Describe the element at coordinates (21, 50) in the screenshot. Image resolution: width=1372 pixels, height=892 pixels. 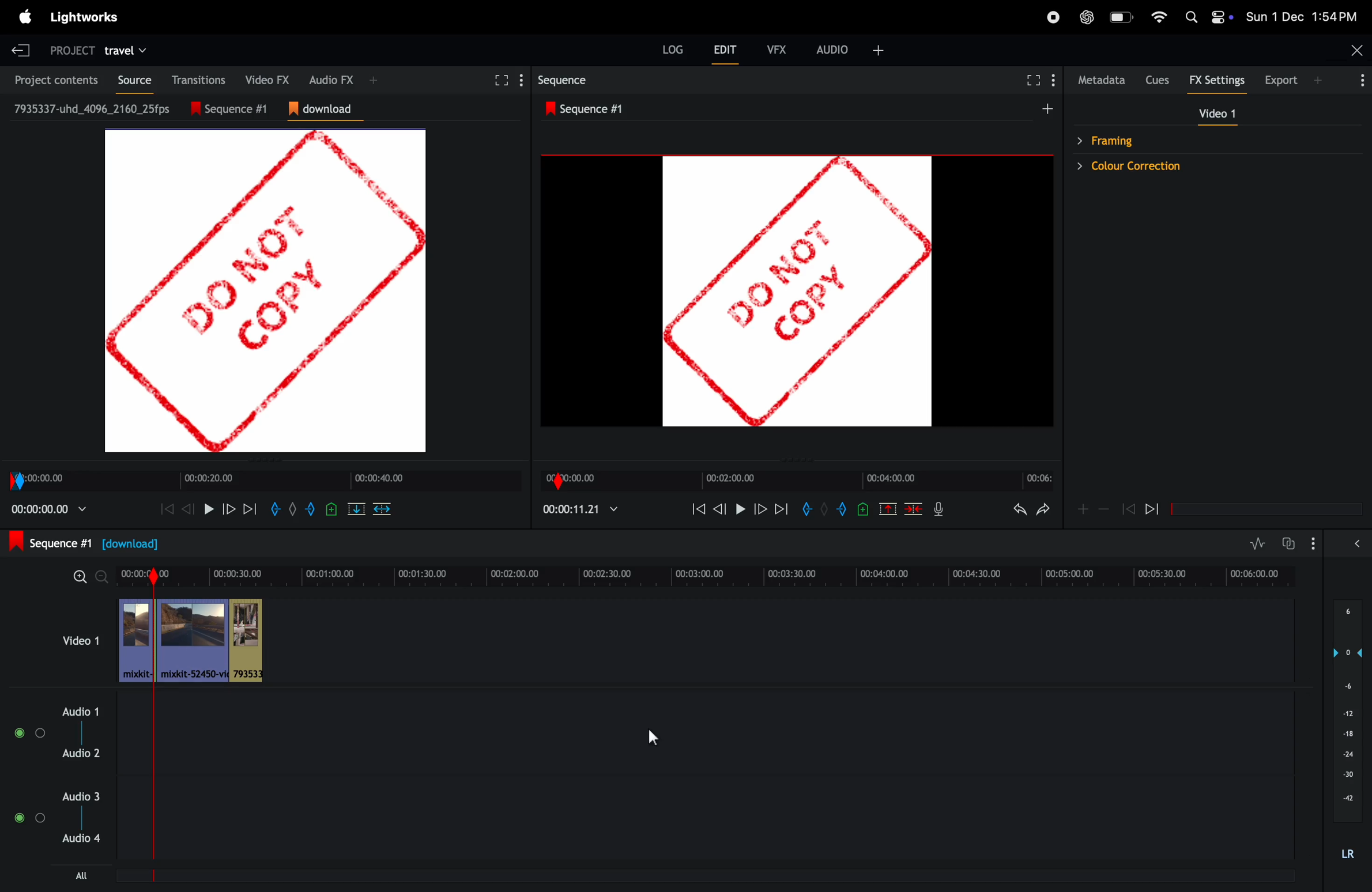
I see `exit` at that location.